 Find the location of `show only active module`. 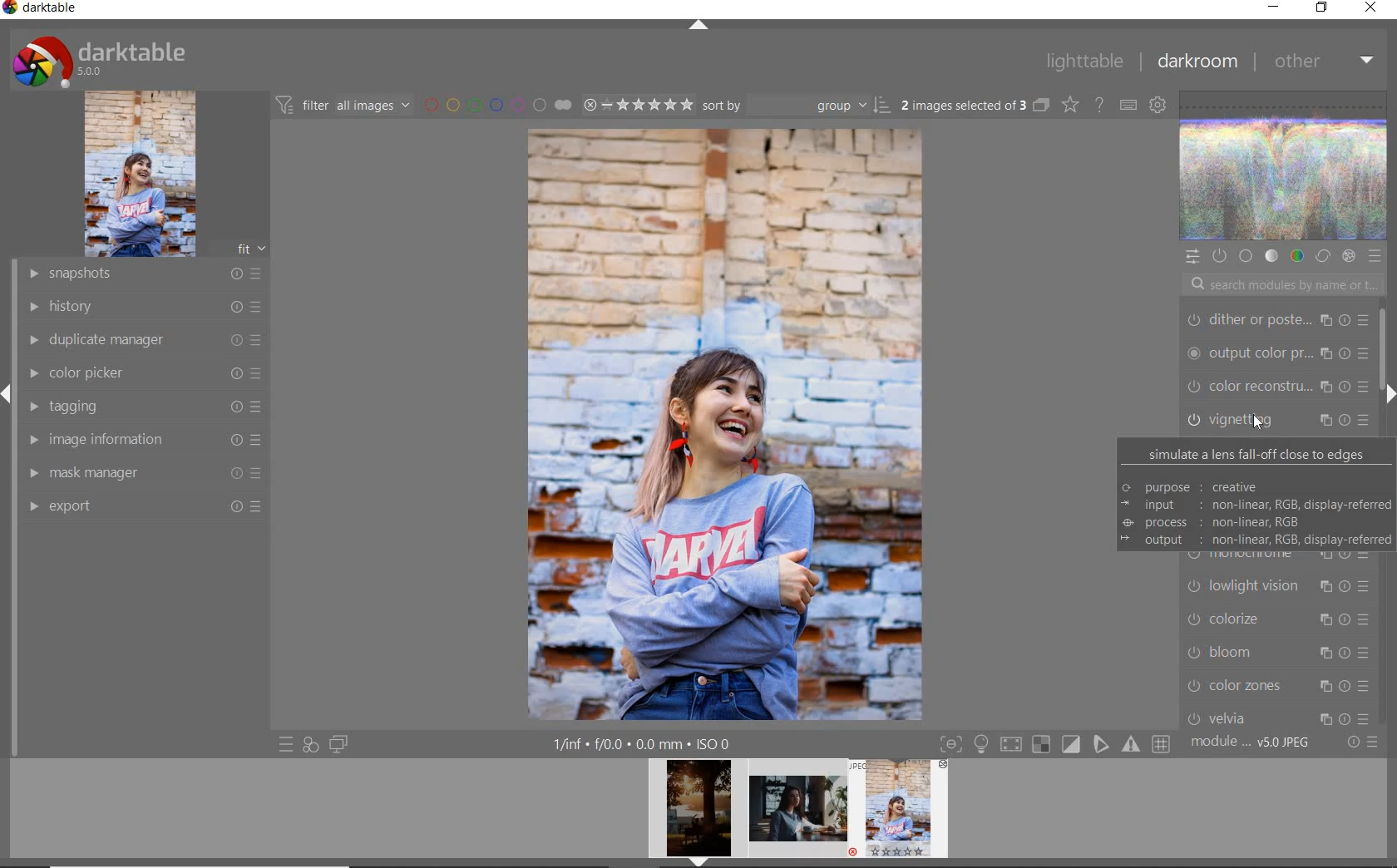

show only active module is located at coordinates (1218, 256).